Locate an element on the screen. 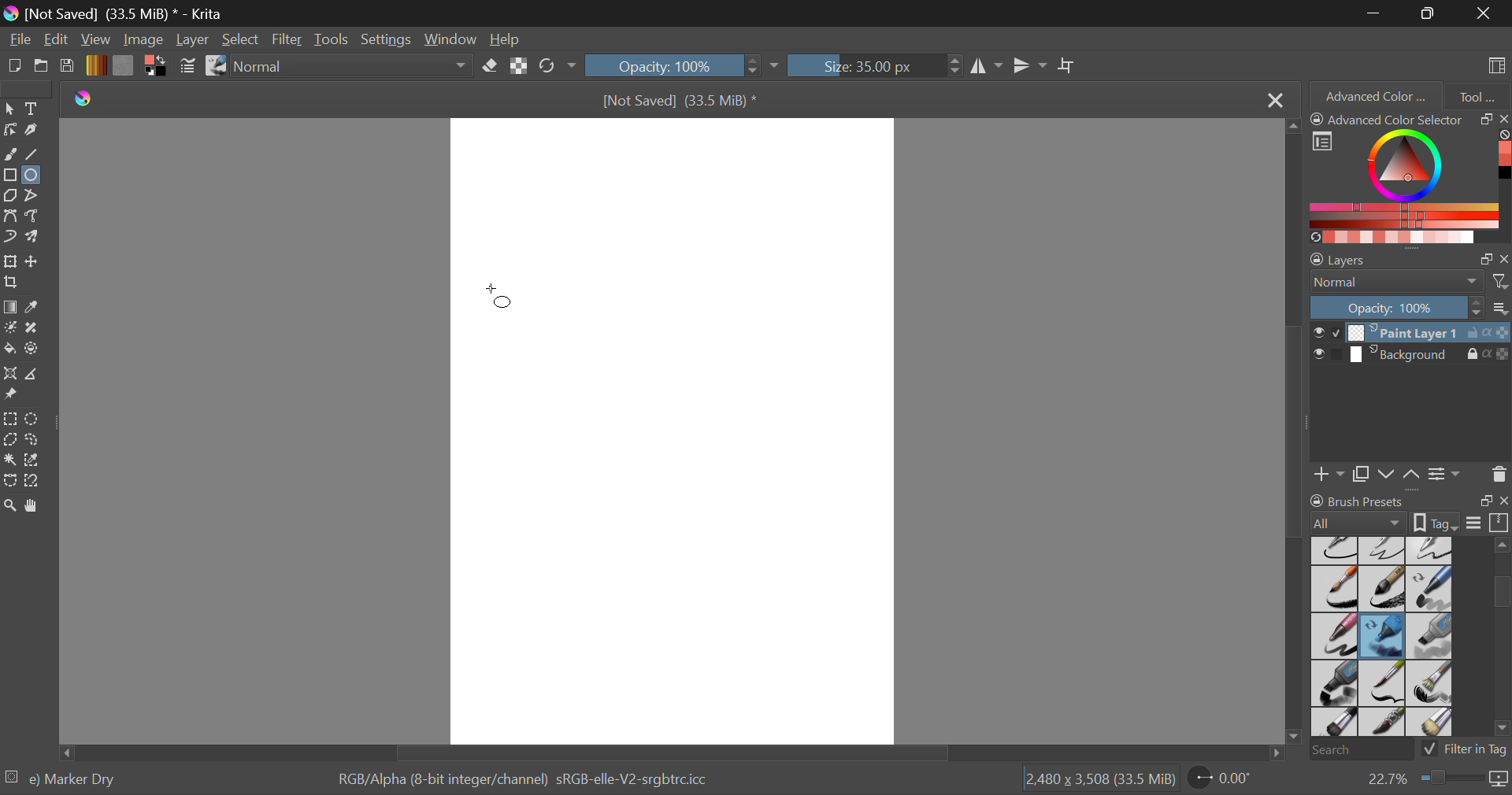 This screenshot has height=795, width=1512. Smart Patch Tool is located at coordinates (35, 329).